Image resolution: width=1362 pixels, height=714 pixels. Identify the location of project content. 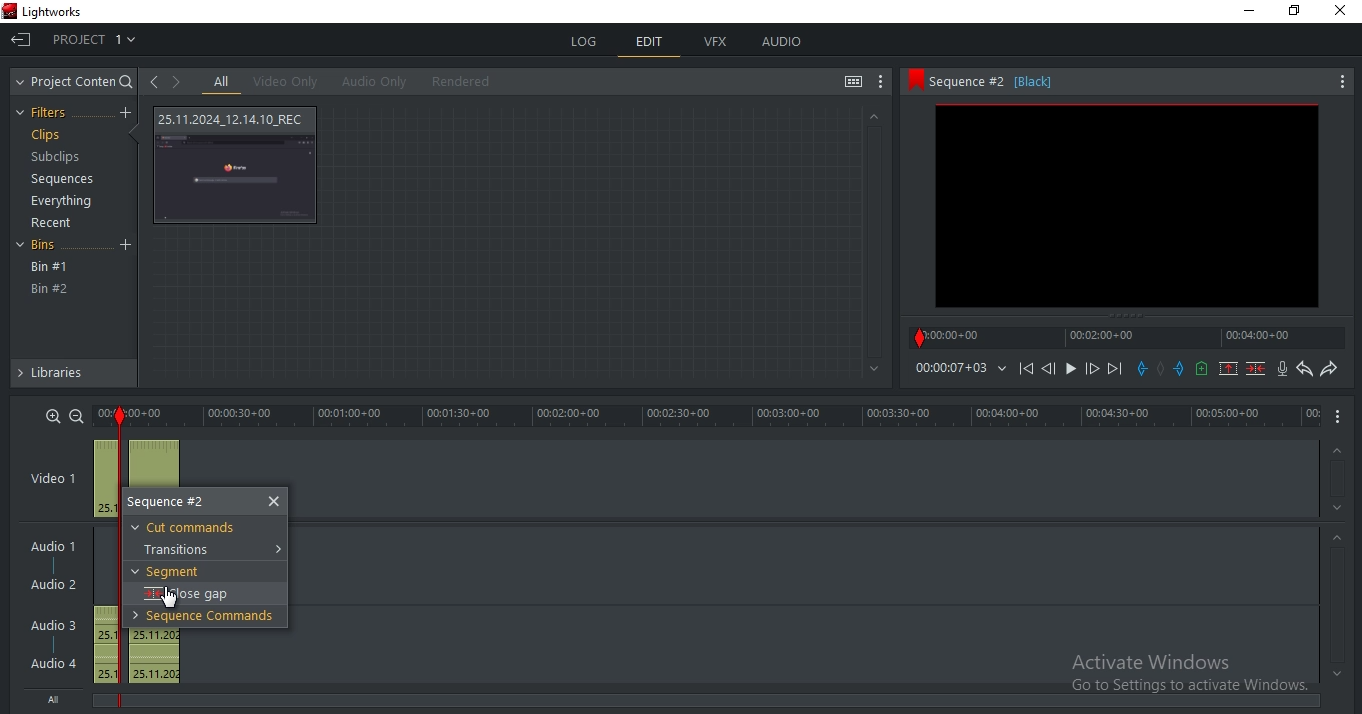
(76, 82).